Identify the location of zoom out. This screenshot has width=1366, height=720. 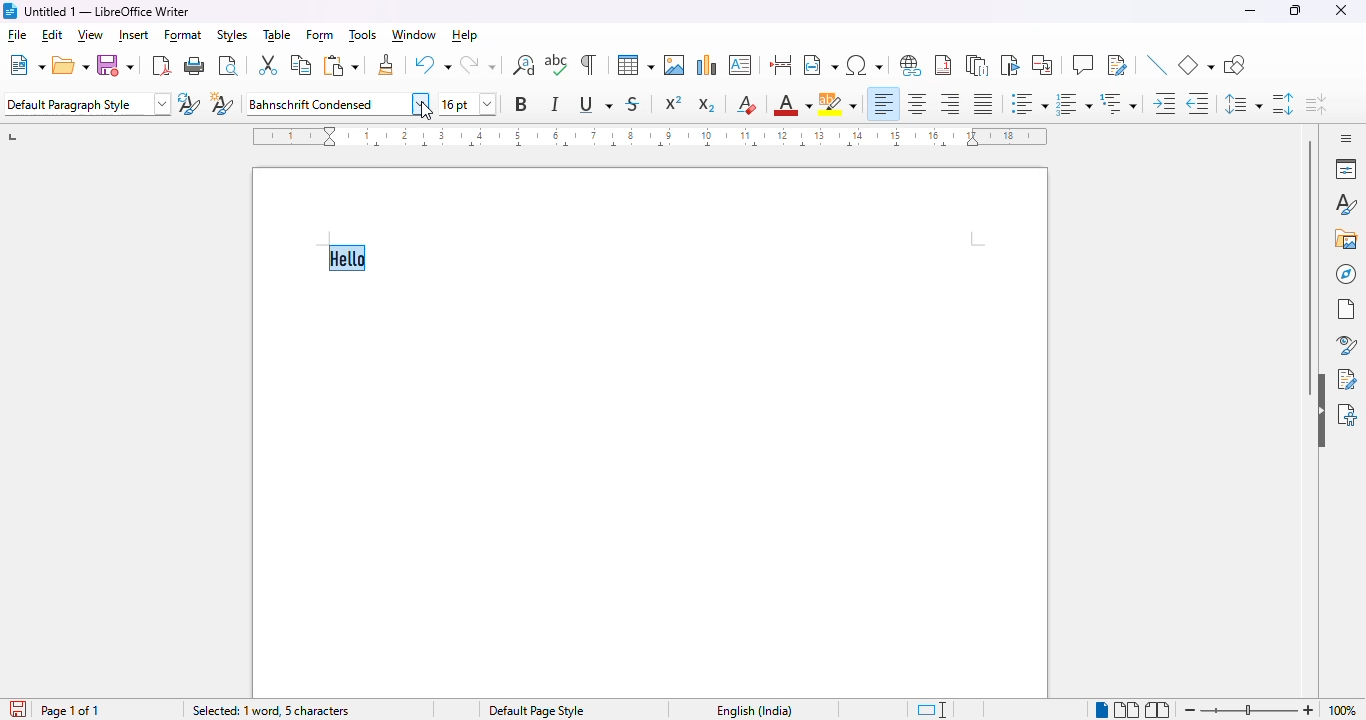
(1188, 709).